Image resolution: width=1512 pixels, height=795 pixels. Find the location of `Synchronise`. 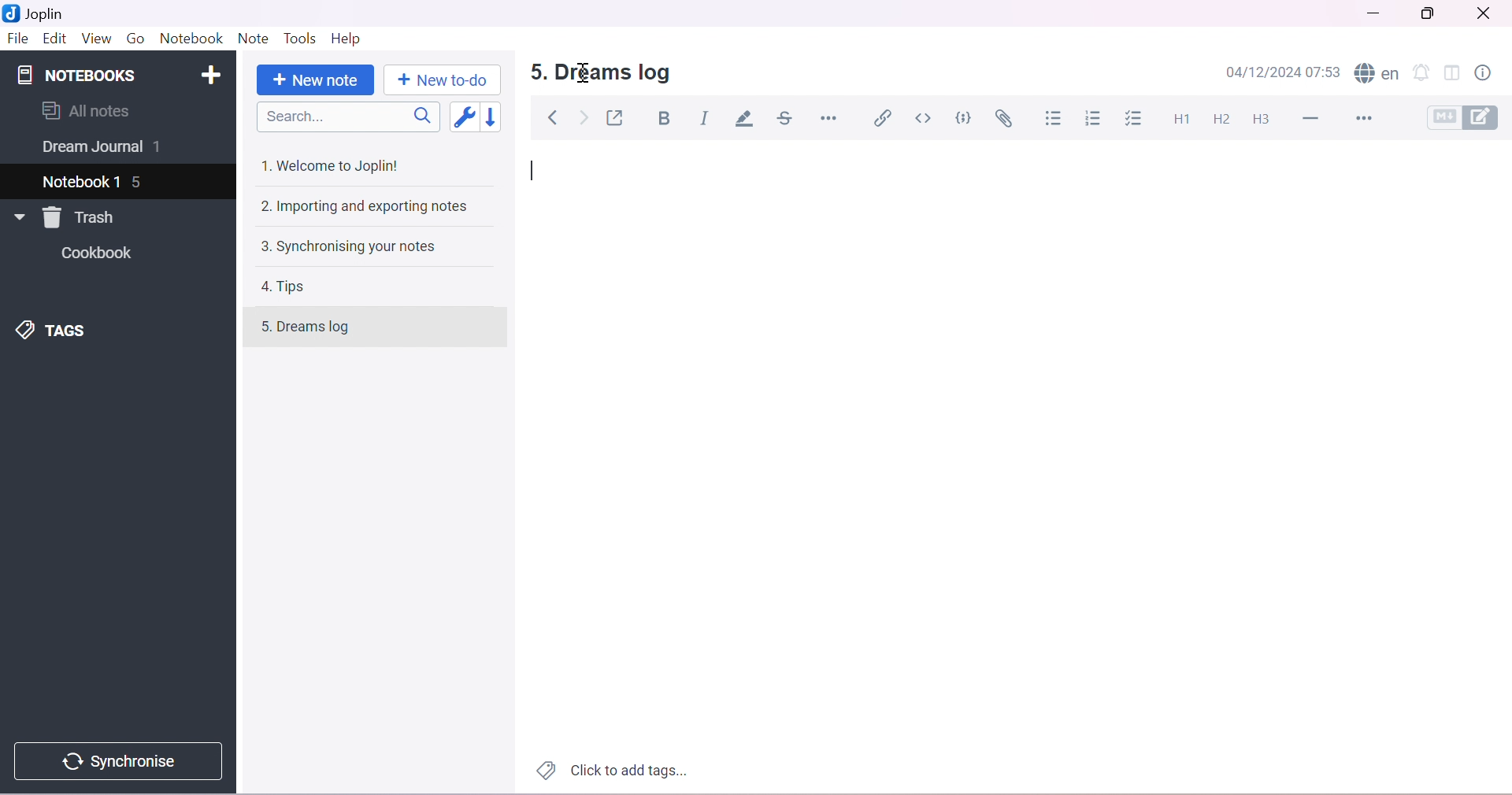

Synchronise is located at coordinates (124, 761).